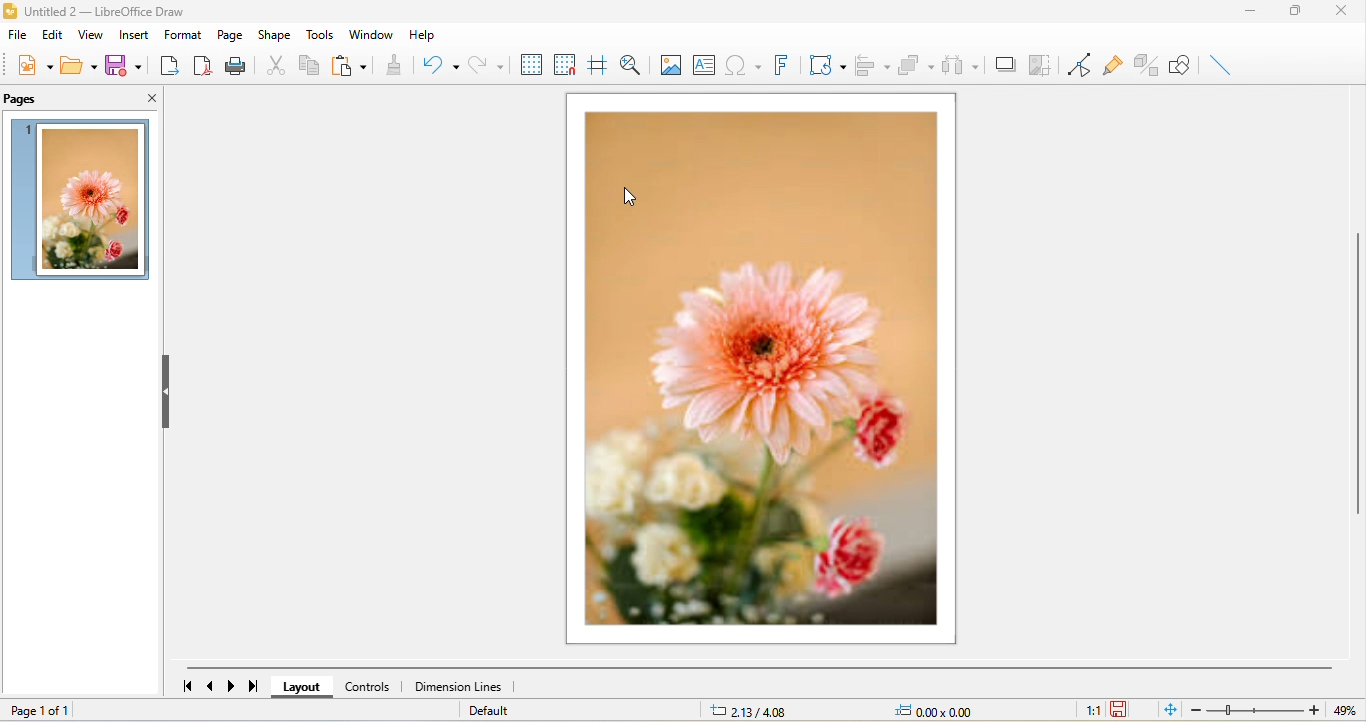  Describe the element at coordinates (33, 62) in the screenshot. I see `new` at that location.